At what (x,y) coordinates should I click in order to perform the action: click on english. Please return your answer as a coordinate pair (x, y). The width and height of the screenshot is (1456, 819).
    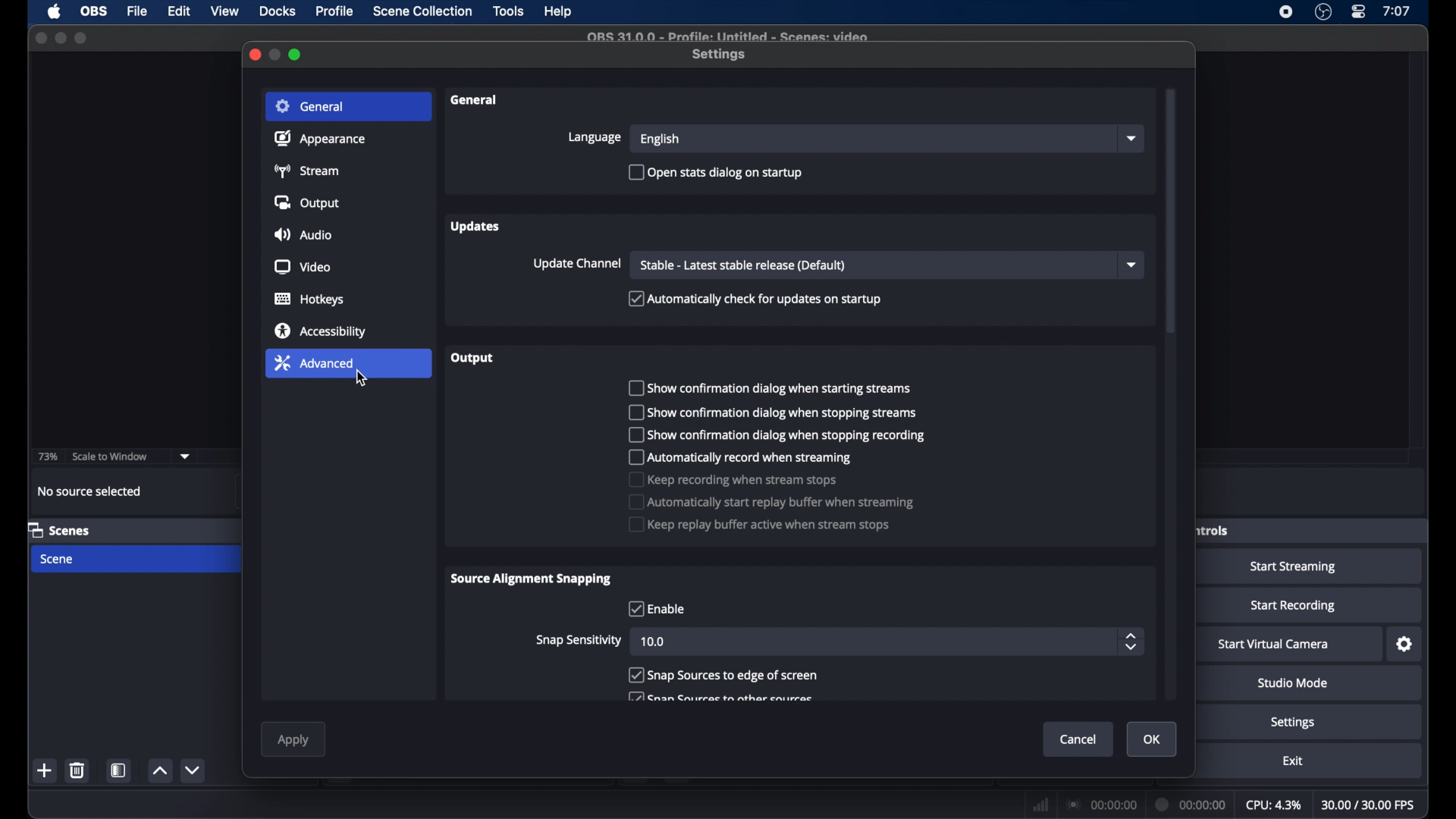
    Looking at the image, I should click on (659, 140).